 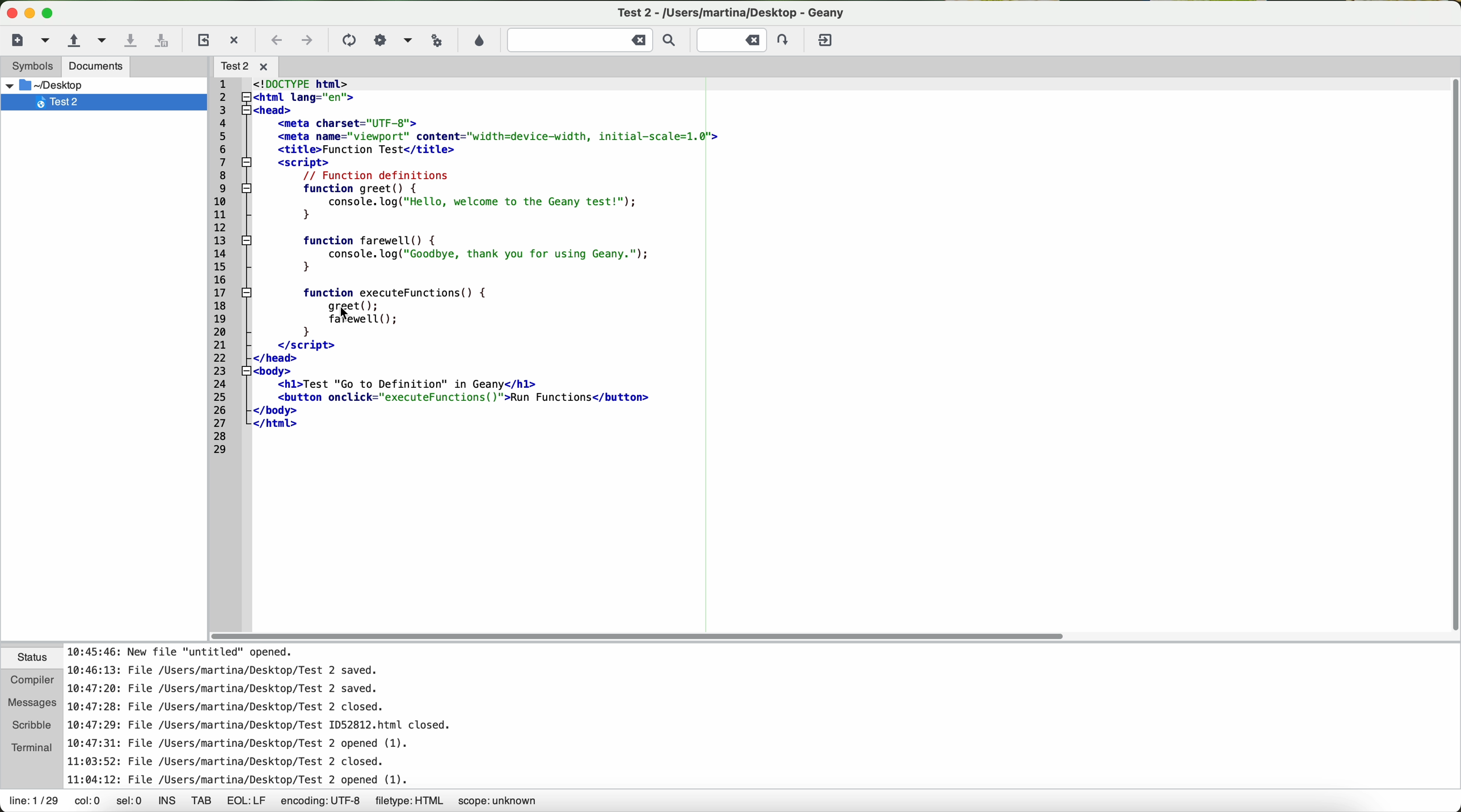 What do you see at coordinates (104, 85) in the screenshot?
I see `desktop folder` at bounding box center [104, 85].